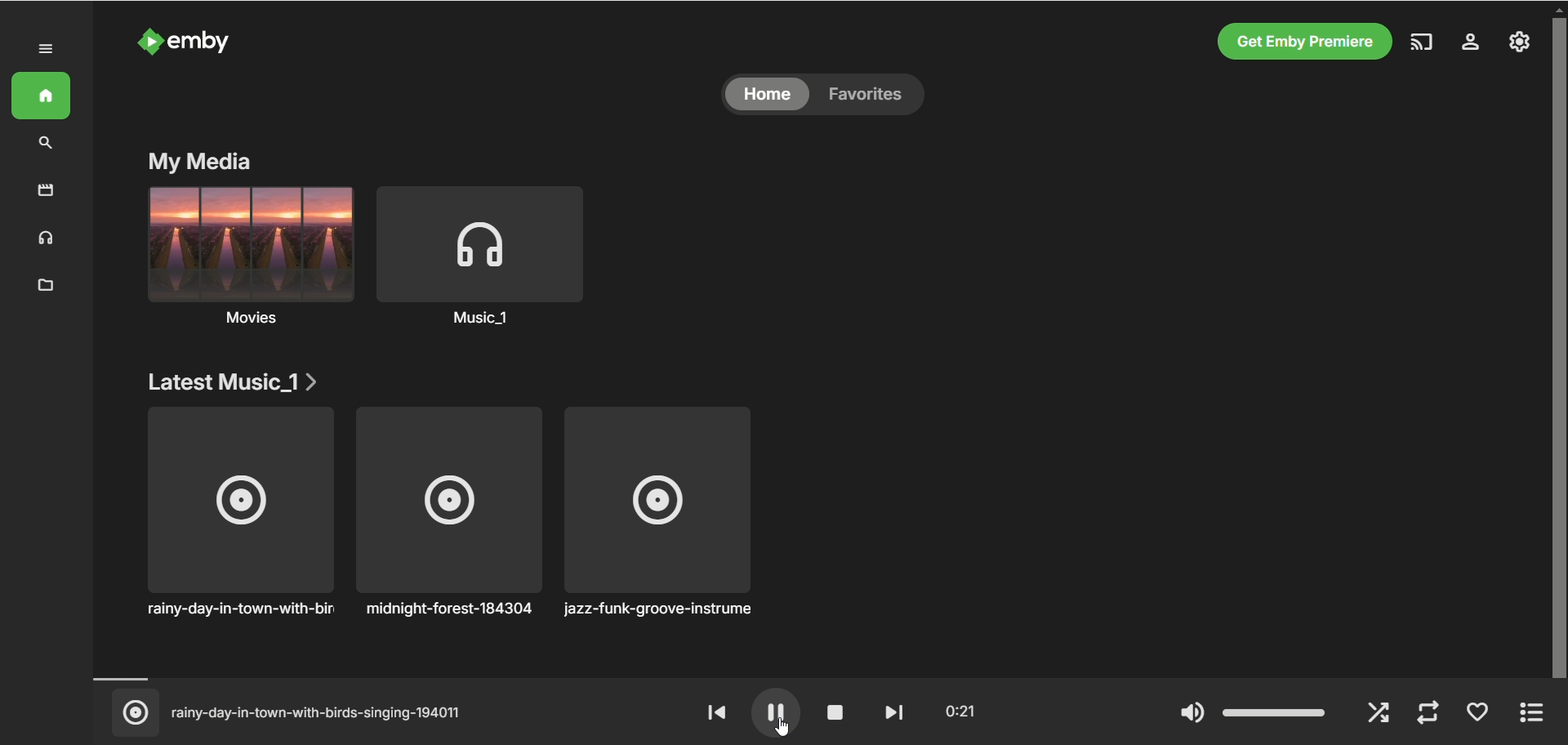 The height and width of the screenshot is (745, 1568). What do you see at coordinates (816, 679) in the screenshot?
I see `timeline` at bounding box center [816, 679].